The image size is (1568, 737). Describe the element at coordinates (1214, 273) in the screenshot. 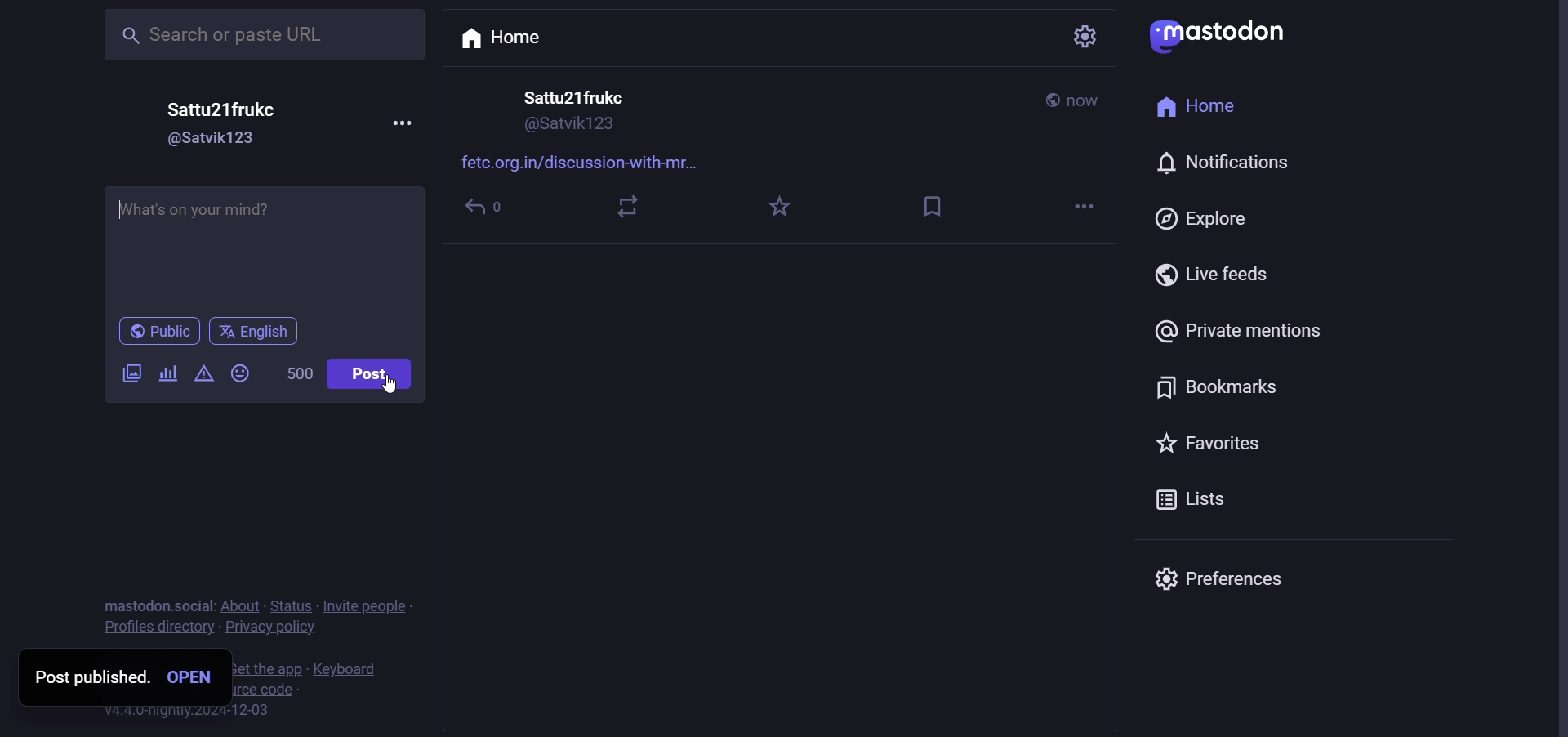

I see `live feed` at that location.